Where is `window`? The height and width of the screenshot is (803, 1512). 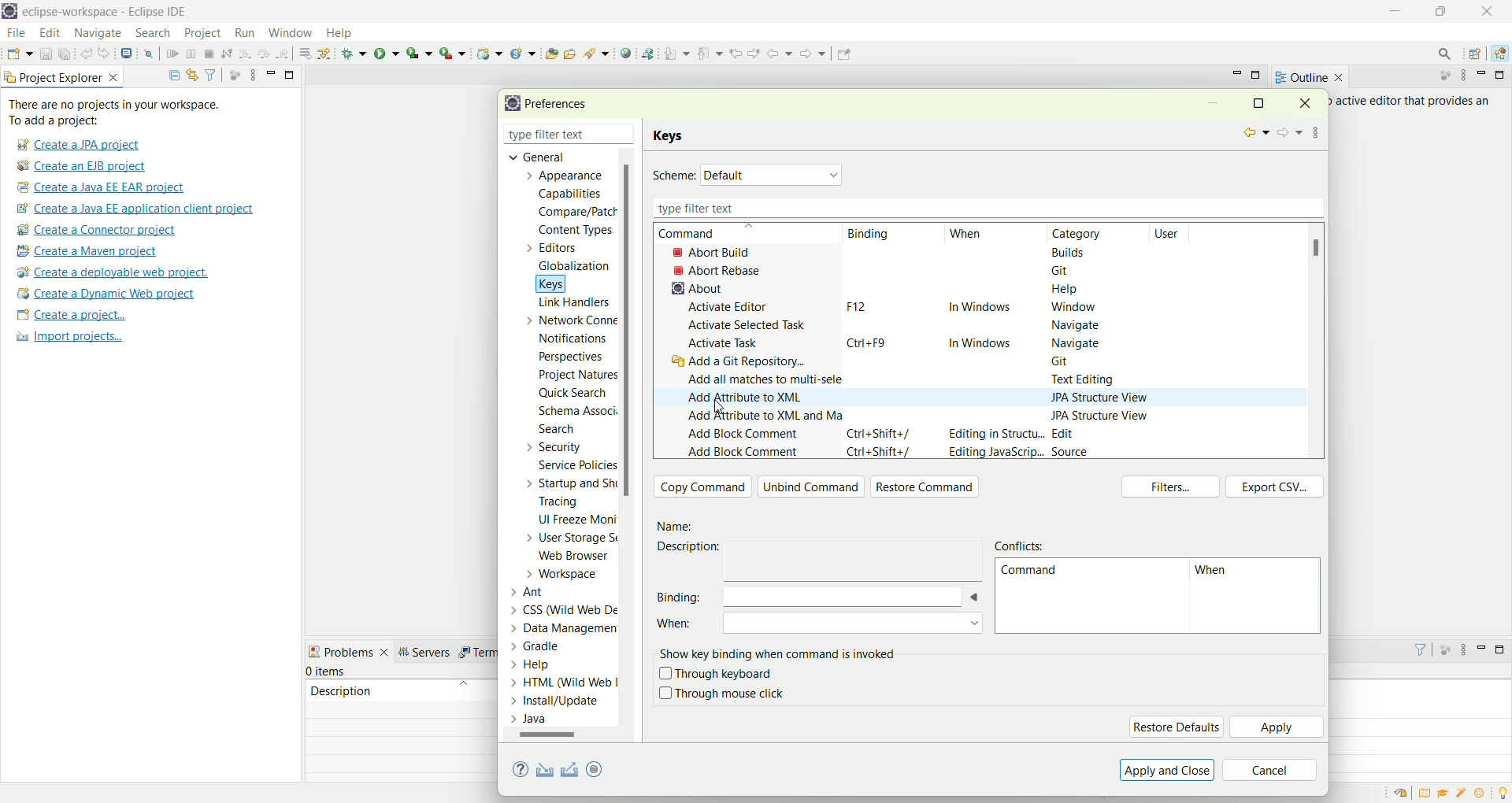
window is located at coordinates (289, 29).